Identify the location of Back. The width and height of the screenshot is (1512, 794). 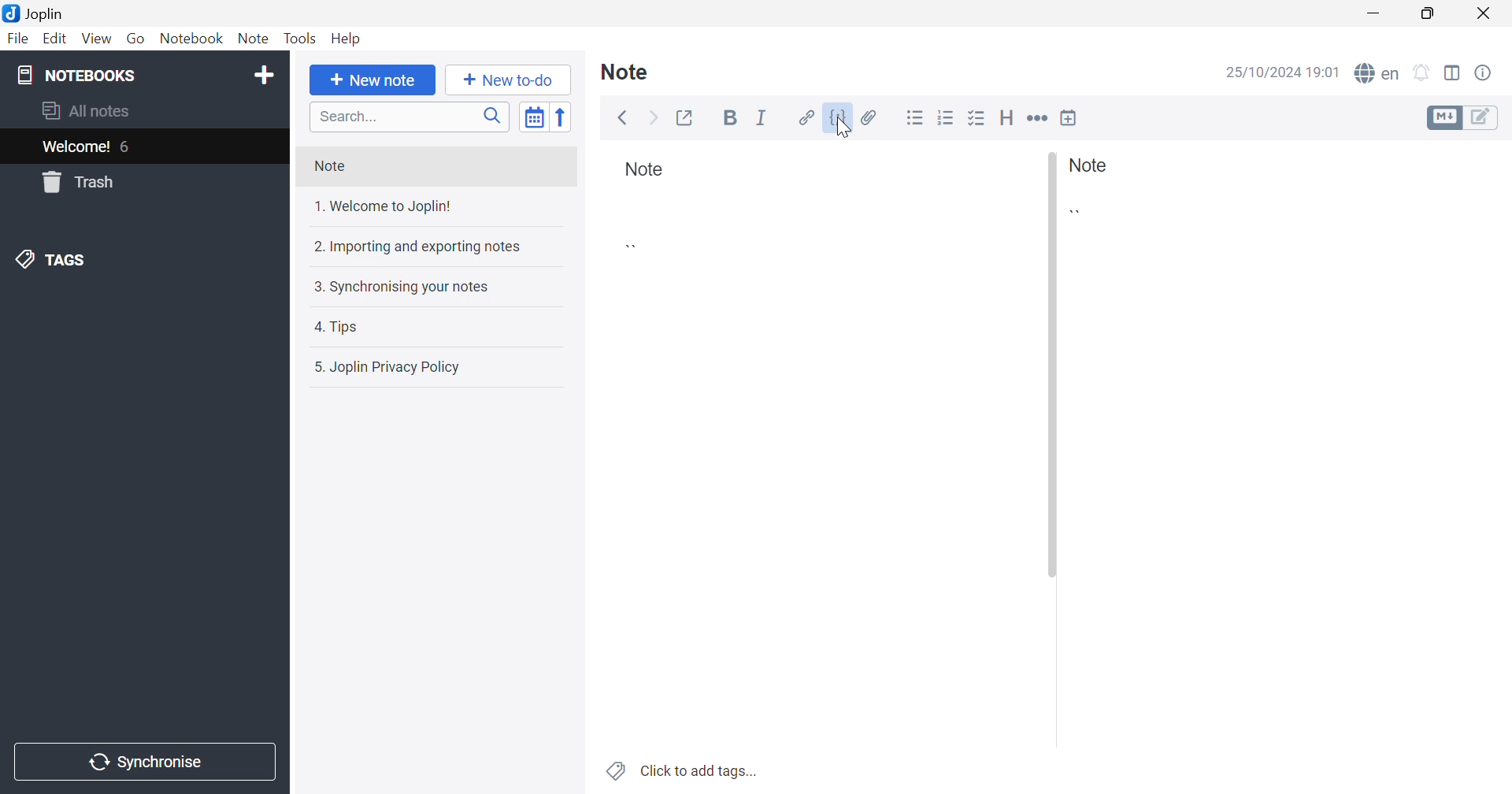
(622, 119).